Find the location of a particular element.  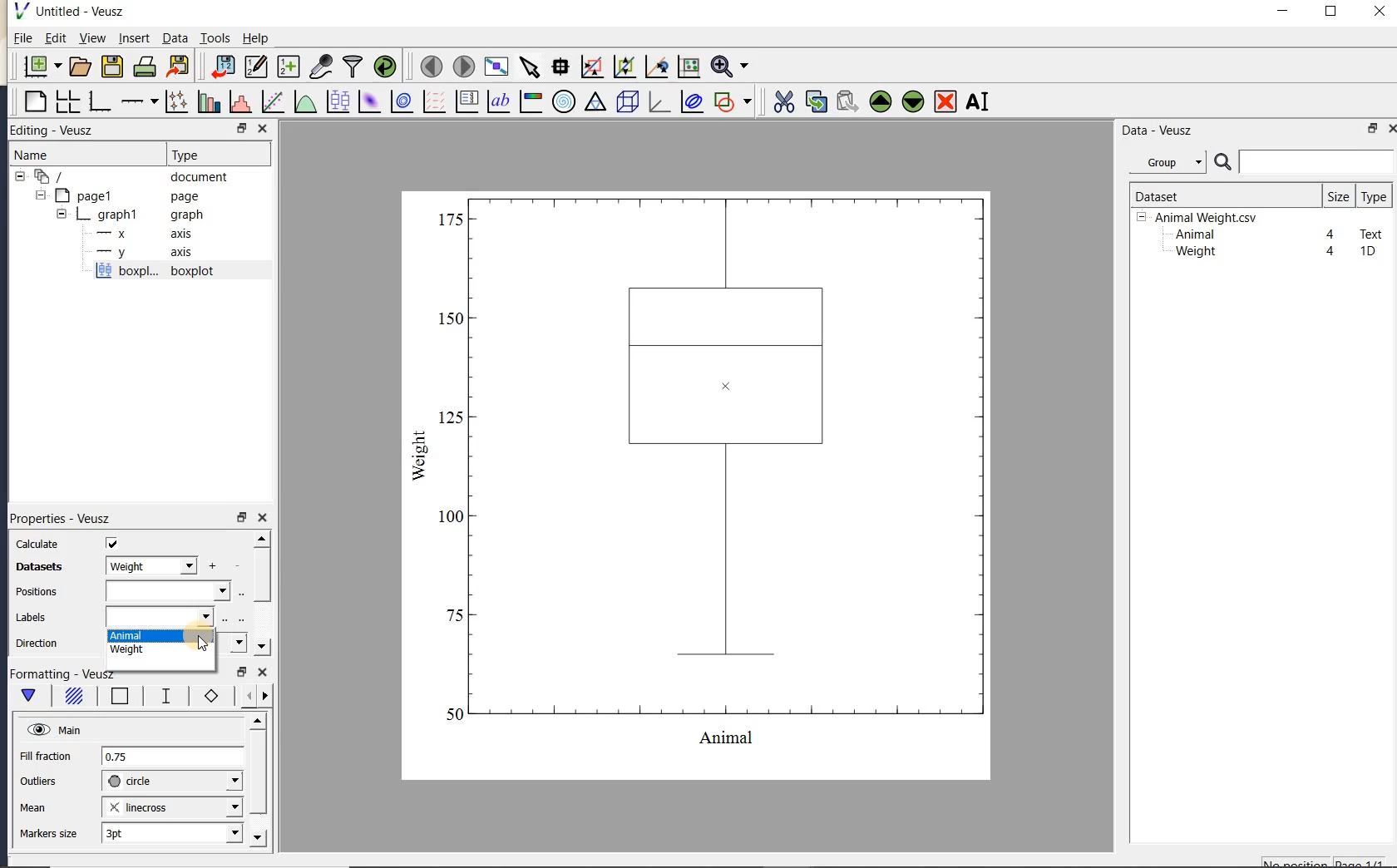

text label is located at coordinates (498, 103).